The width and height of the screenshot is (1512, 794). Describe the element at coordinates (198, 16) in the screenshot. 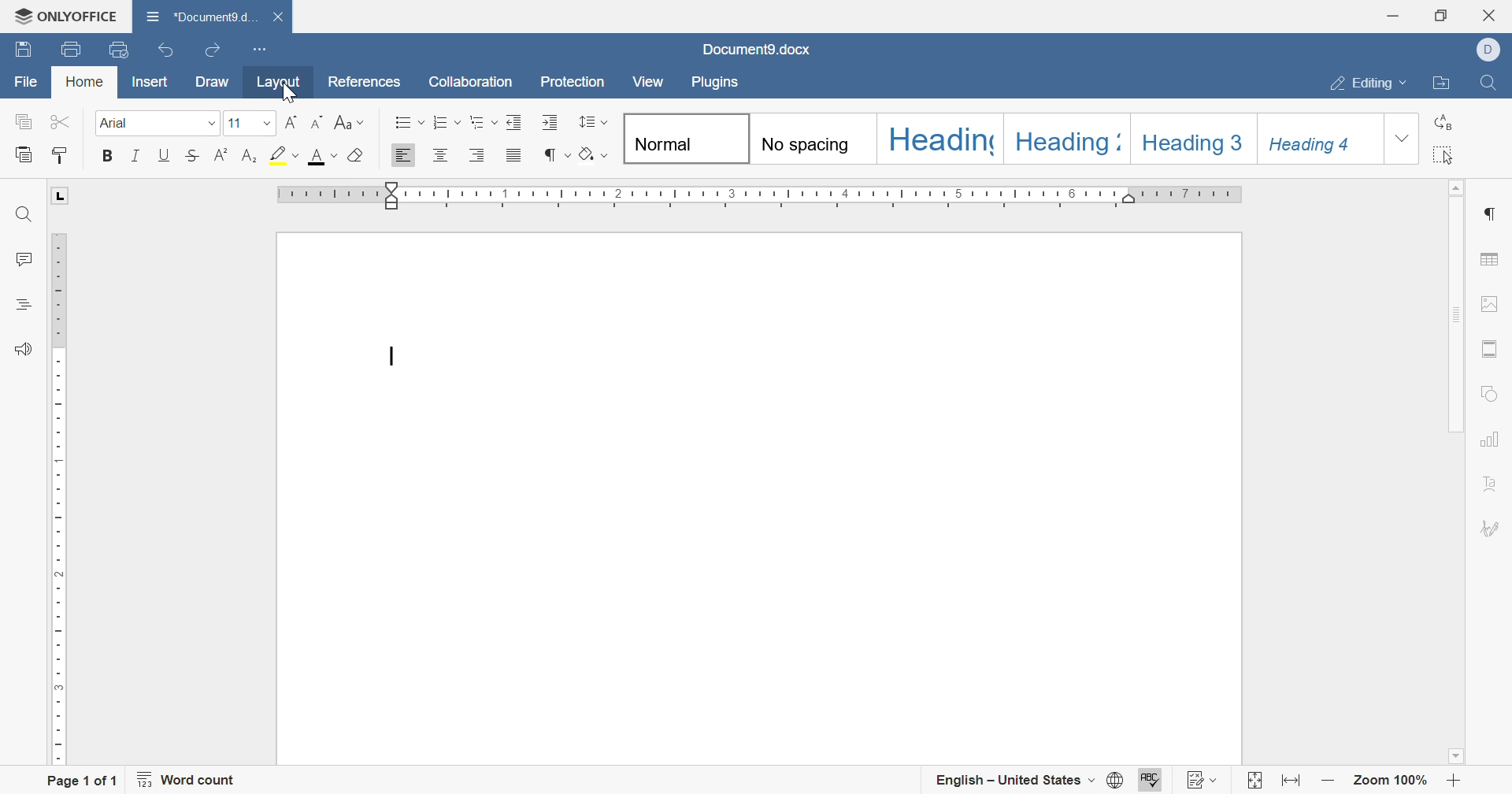

I see `document name` at that location.